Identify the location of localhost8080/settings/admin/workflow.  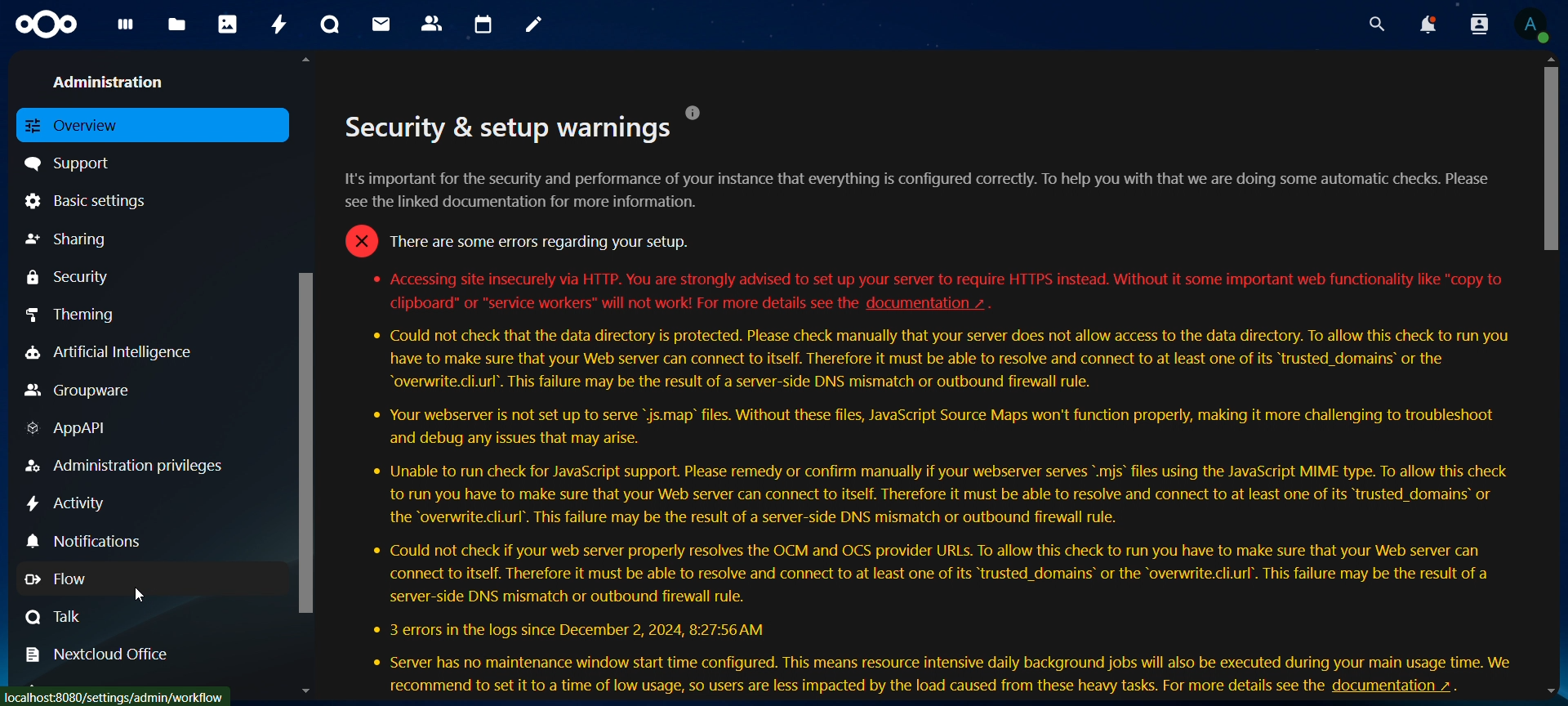
(118, 694).